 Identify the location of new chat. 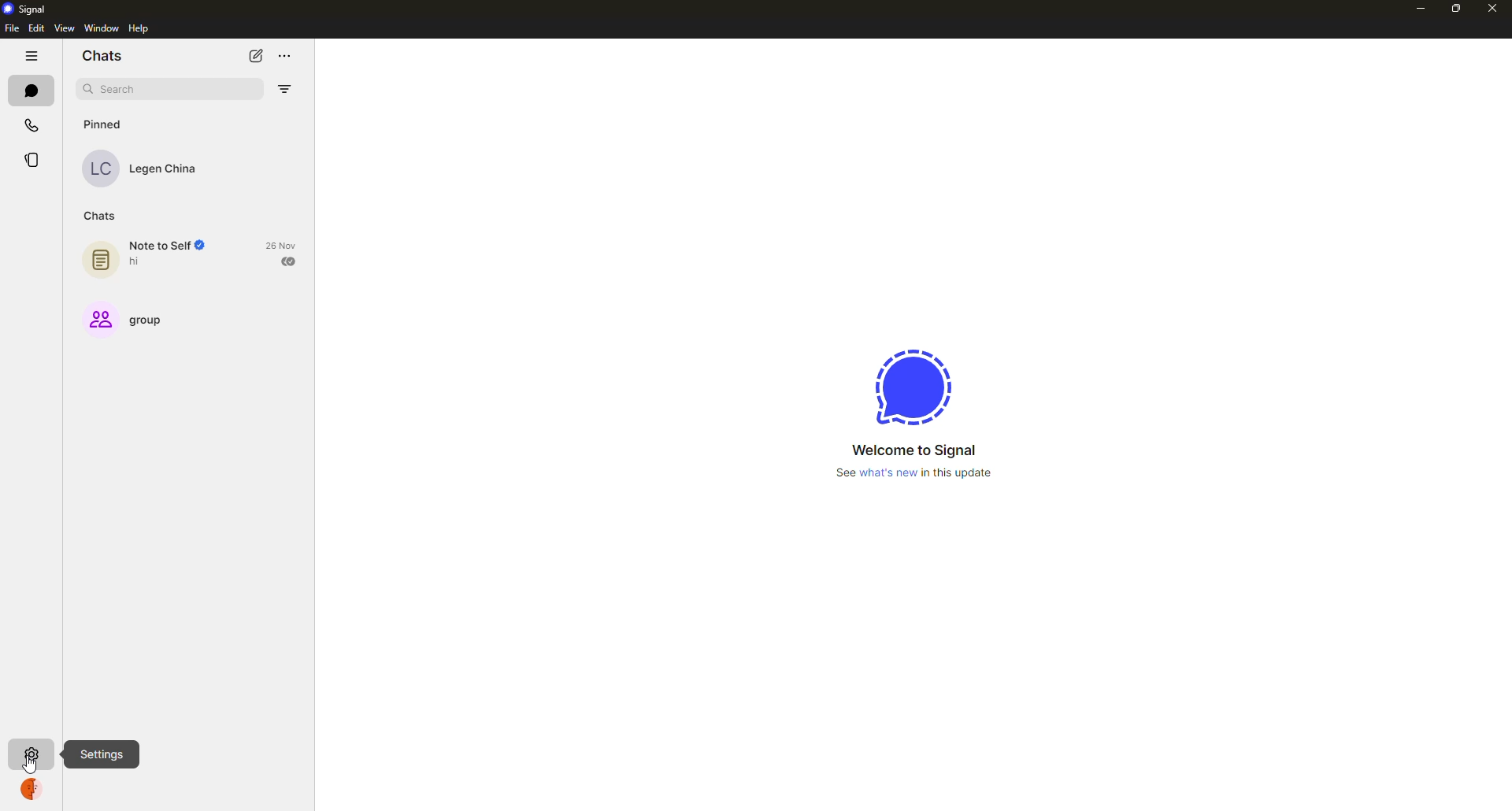
(257, 54).